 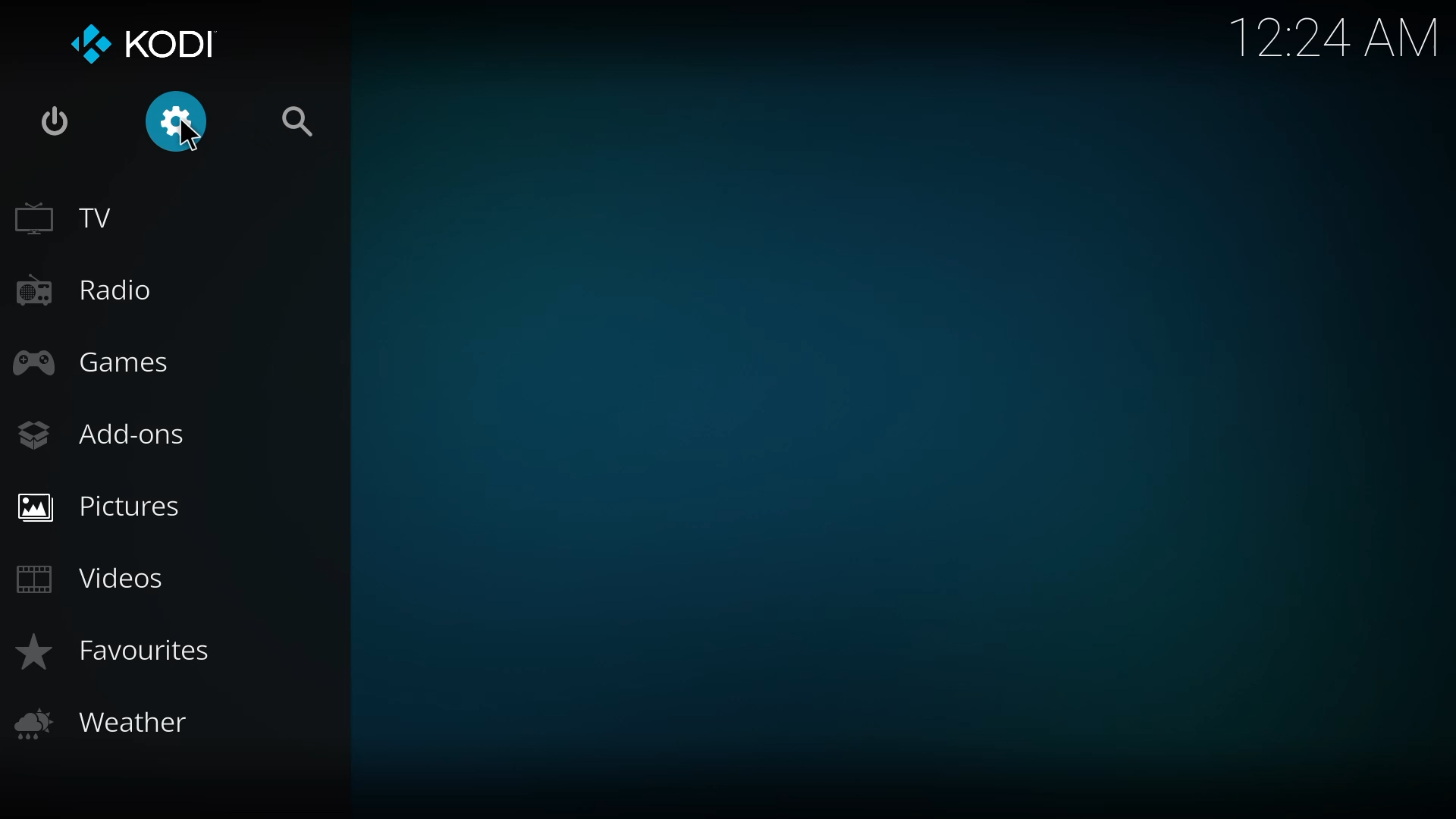 I want to click on radio, so click(x=89, y=290).